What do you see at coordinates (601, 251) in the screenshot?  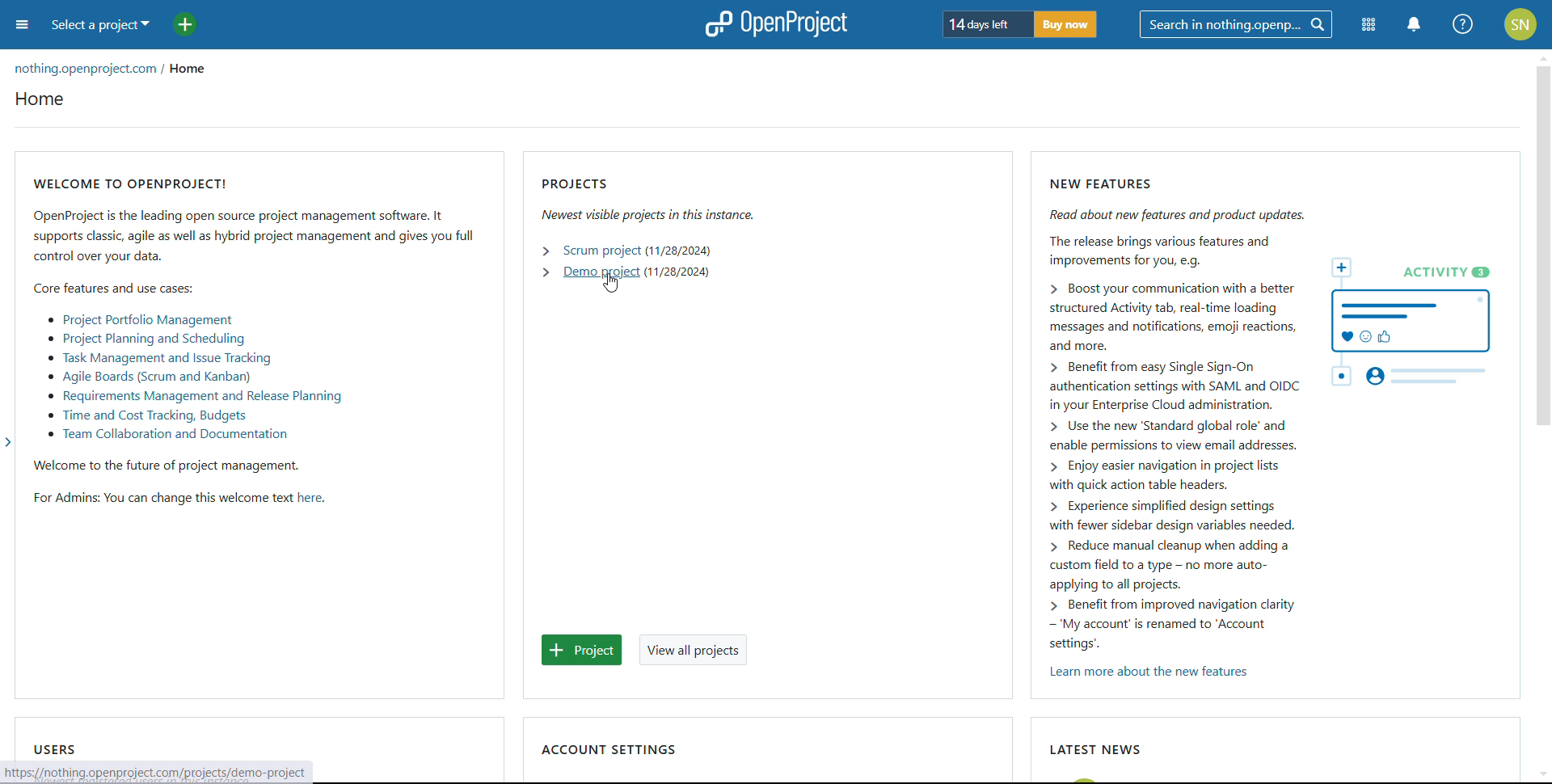 I see `scrum project` at bounding box center [601, 251].